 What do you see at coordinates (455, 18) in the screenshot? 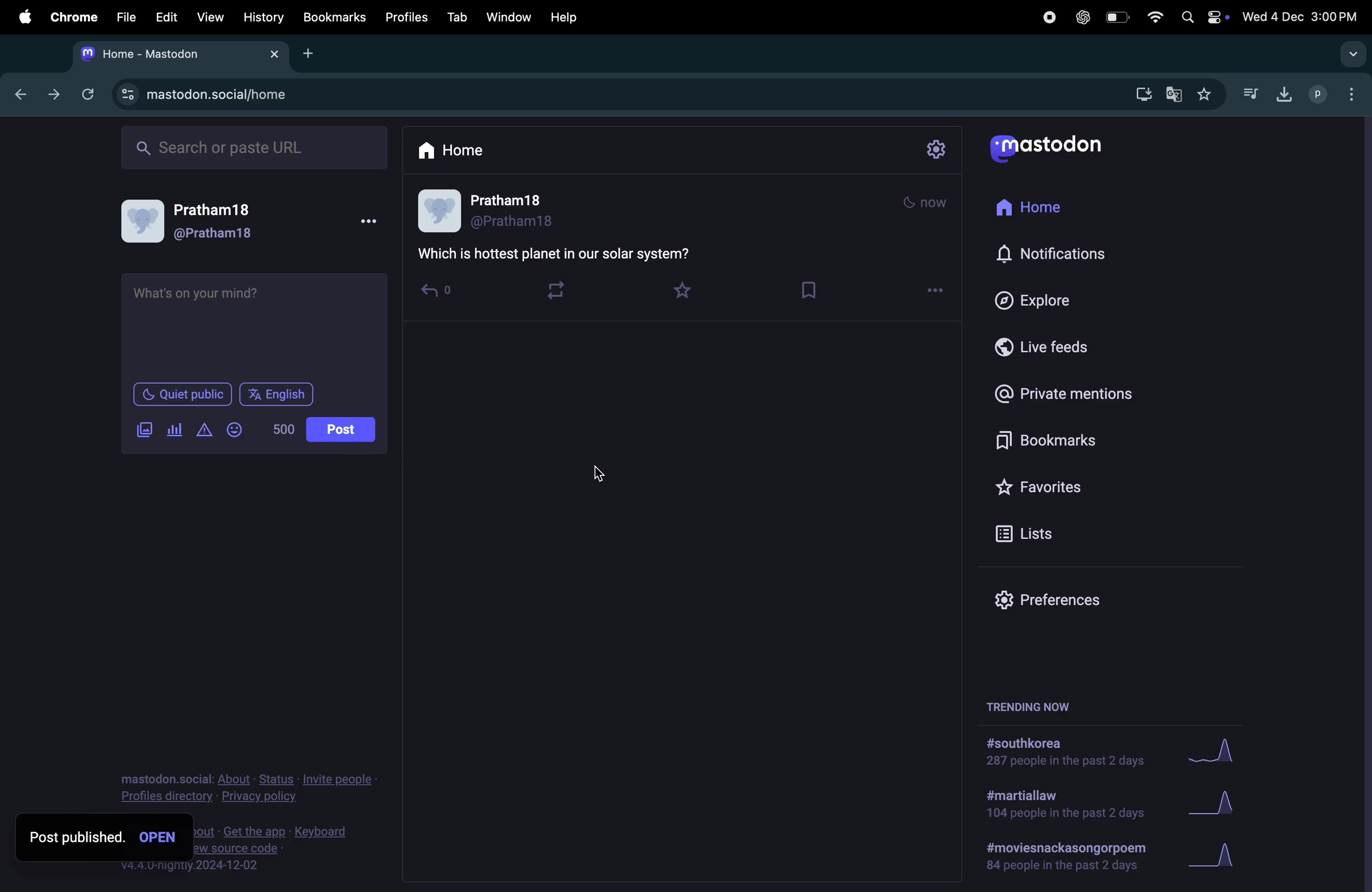
I see `tab` at bounding box center [455, 18].